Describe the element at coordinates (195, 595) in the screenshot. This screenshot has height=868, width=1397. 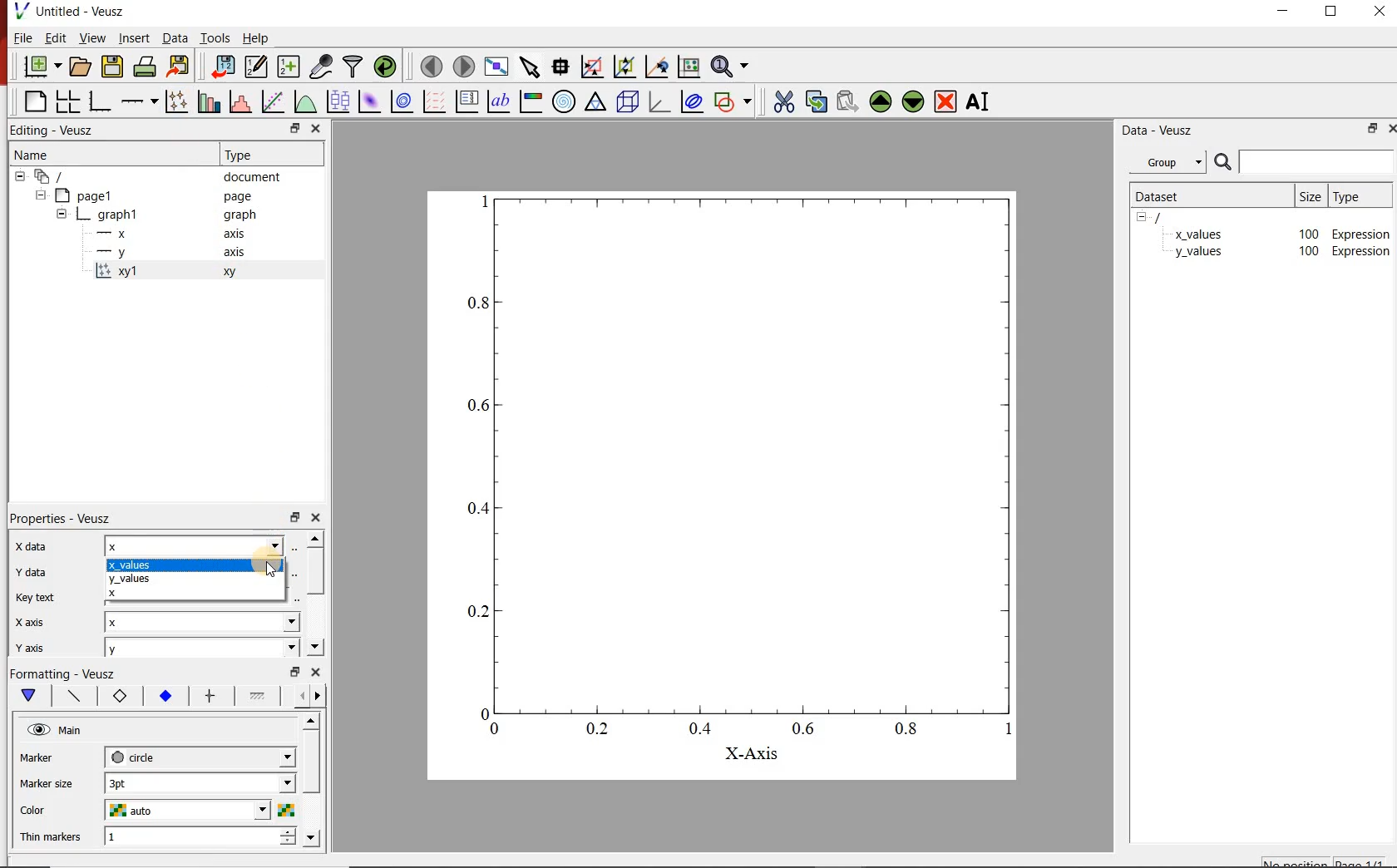
I see `x` at that location.